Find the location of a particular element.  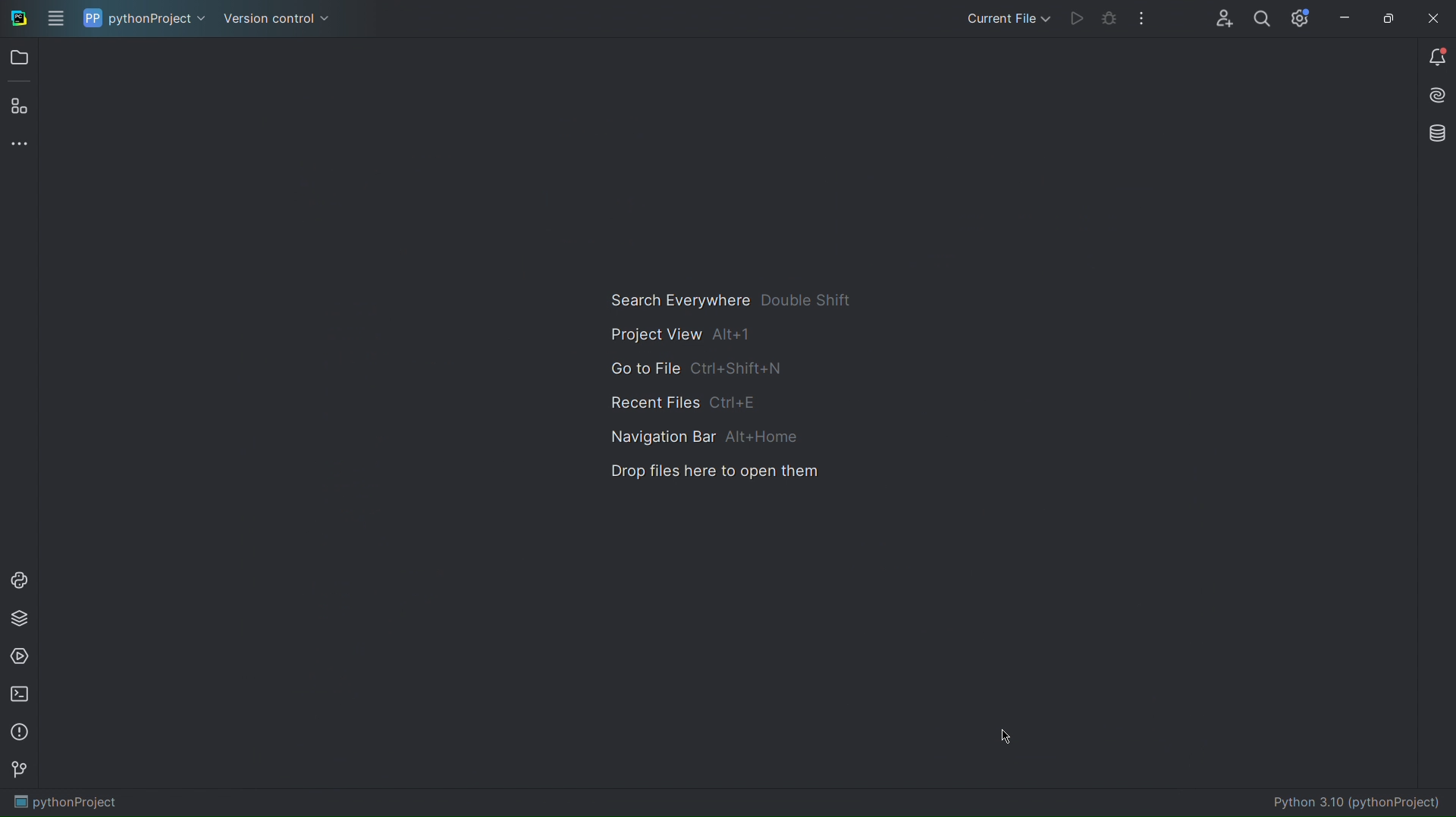

Problems is located at coordinates (21, 734).